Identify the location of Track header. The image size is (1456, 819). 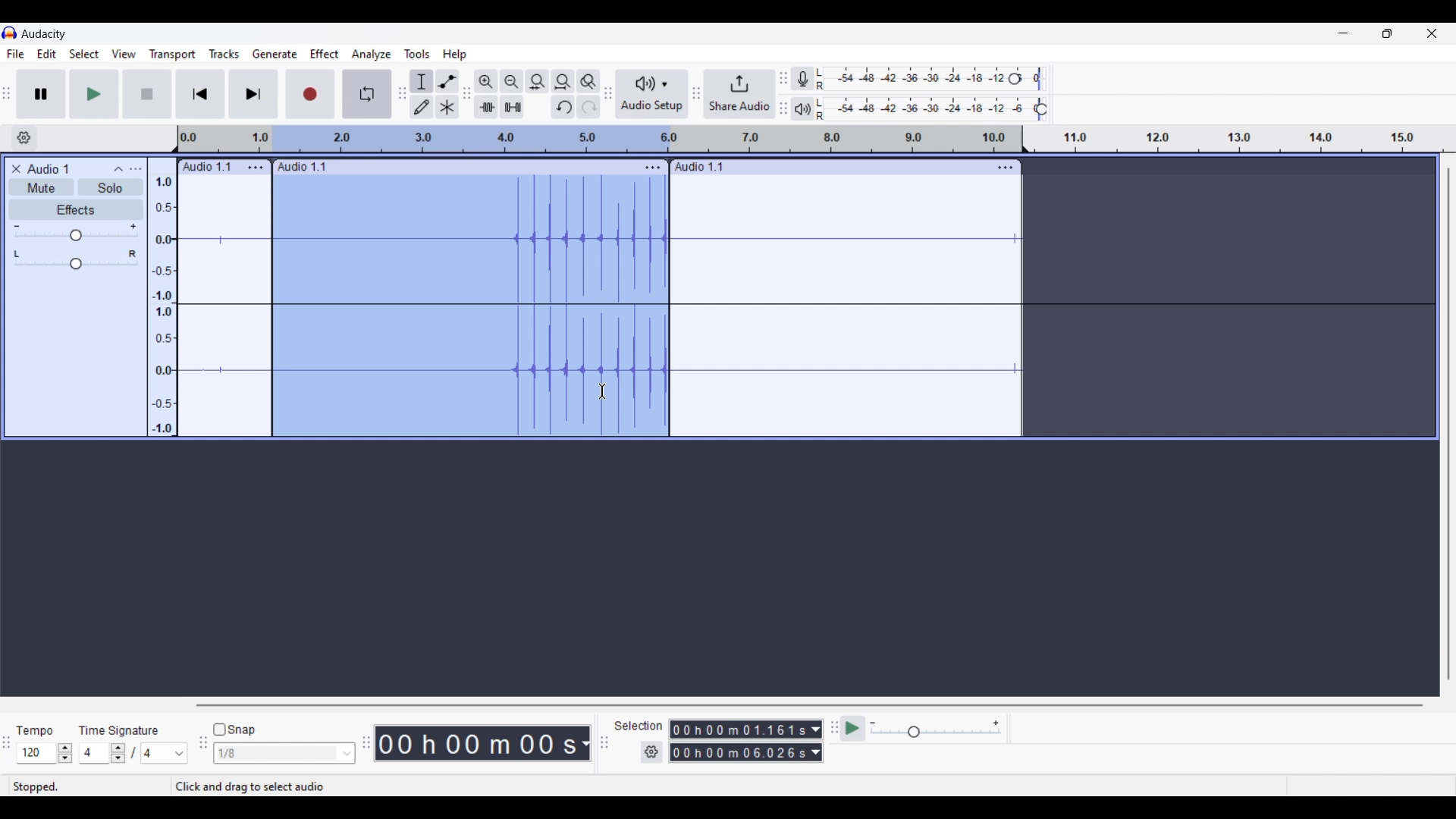
(1024, 137).